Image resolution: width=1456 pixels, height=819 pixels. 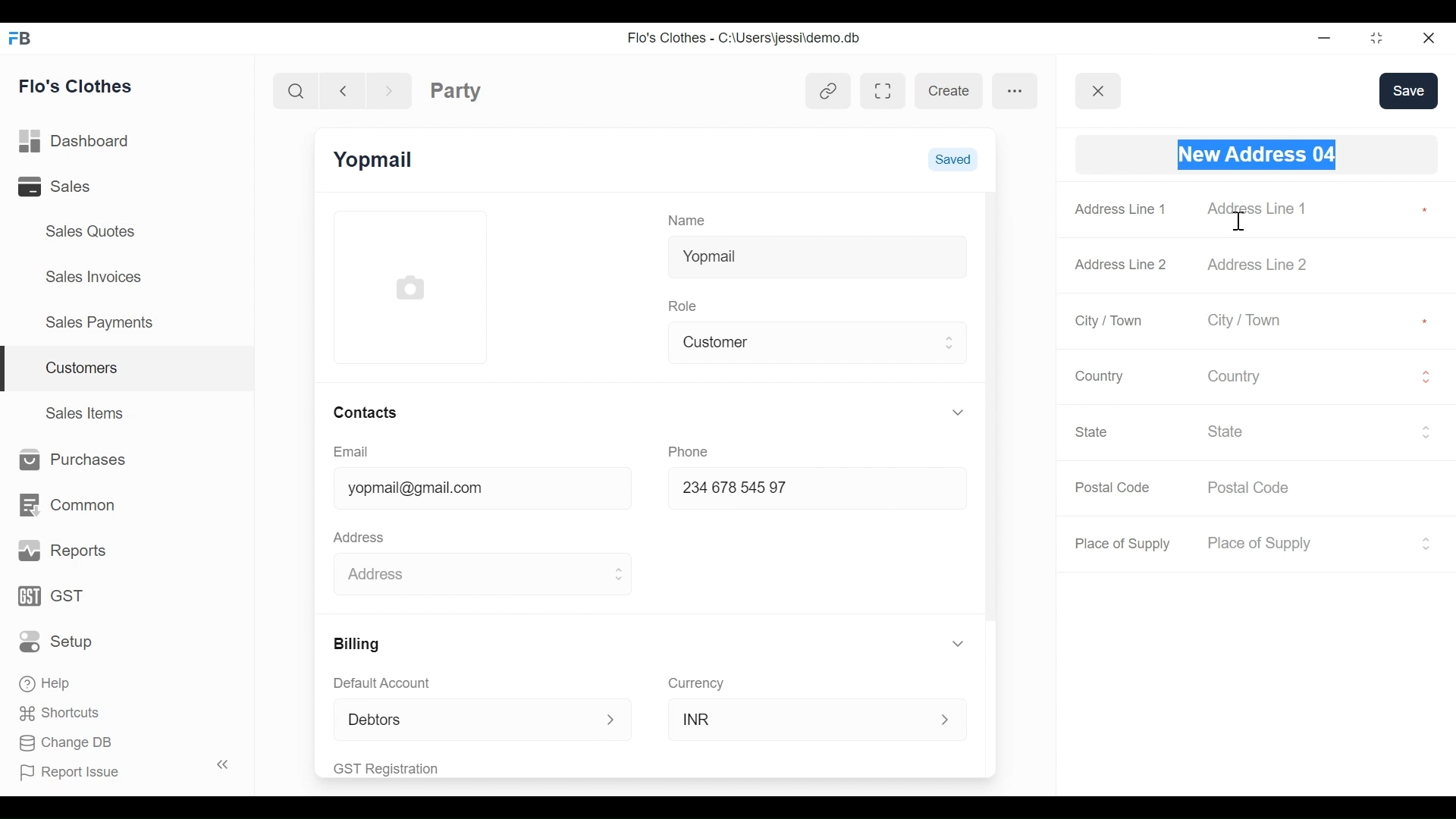 I want to click on City / Town, so click(x=1110, y=321).